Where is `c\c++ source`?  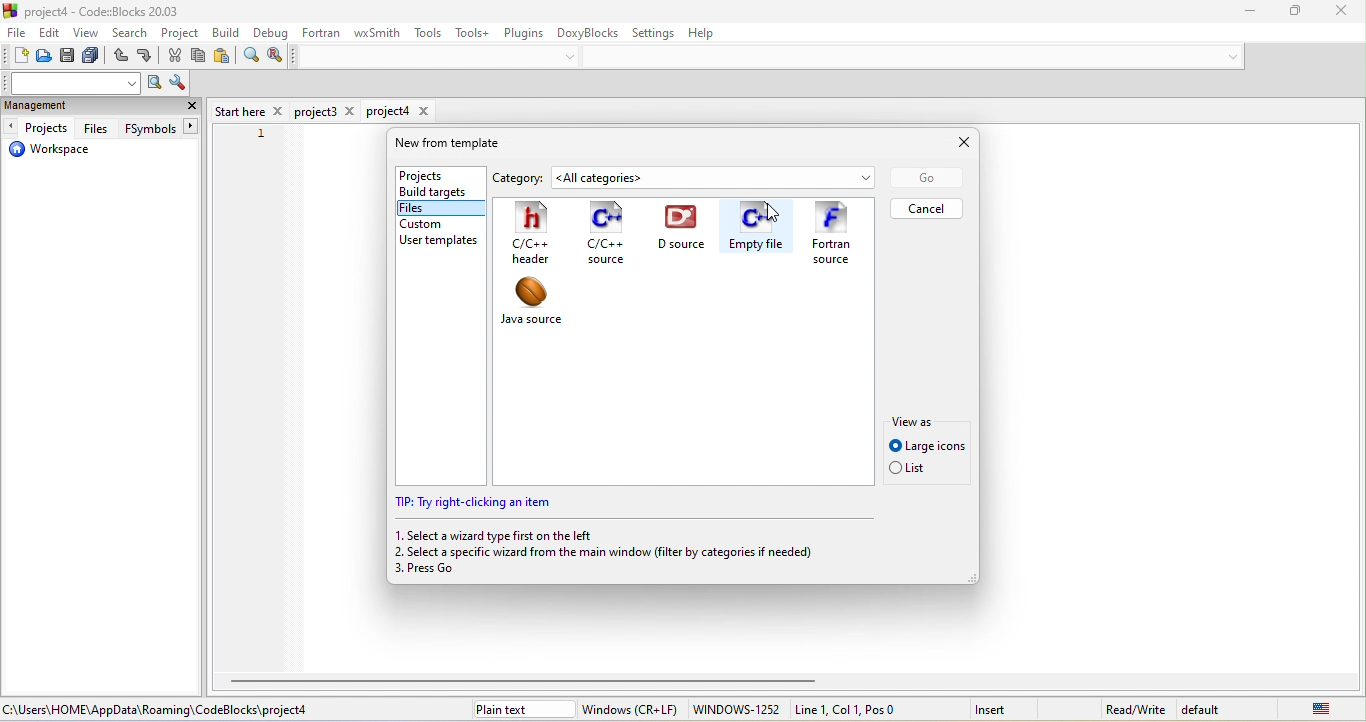
c\c++ source is located at coordinates (605, 234).